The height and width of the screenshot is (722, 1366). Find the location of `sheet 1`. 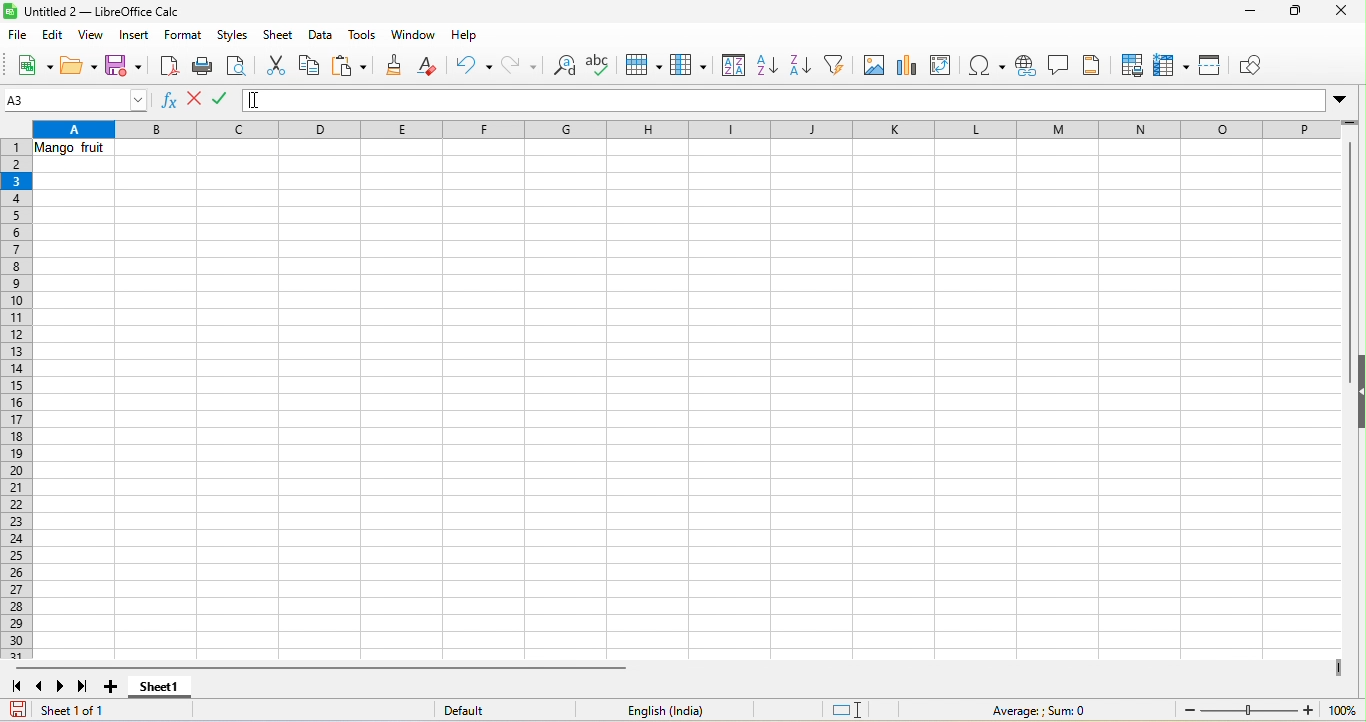

sheet 1 is located at coordinates (158, 691).